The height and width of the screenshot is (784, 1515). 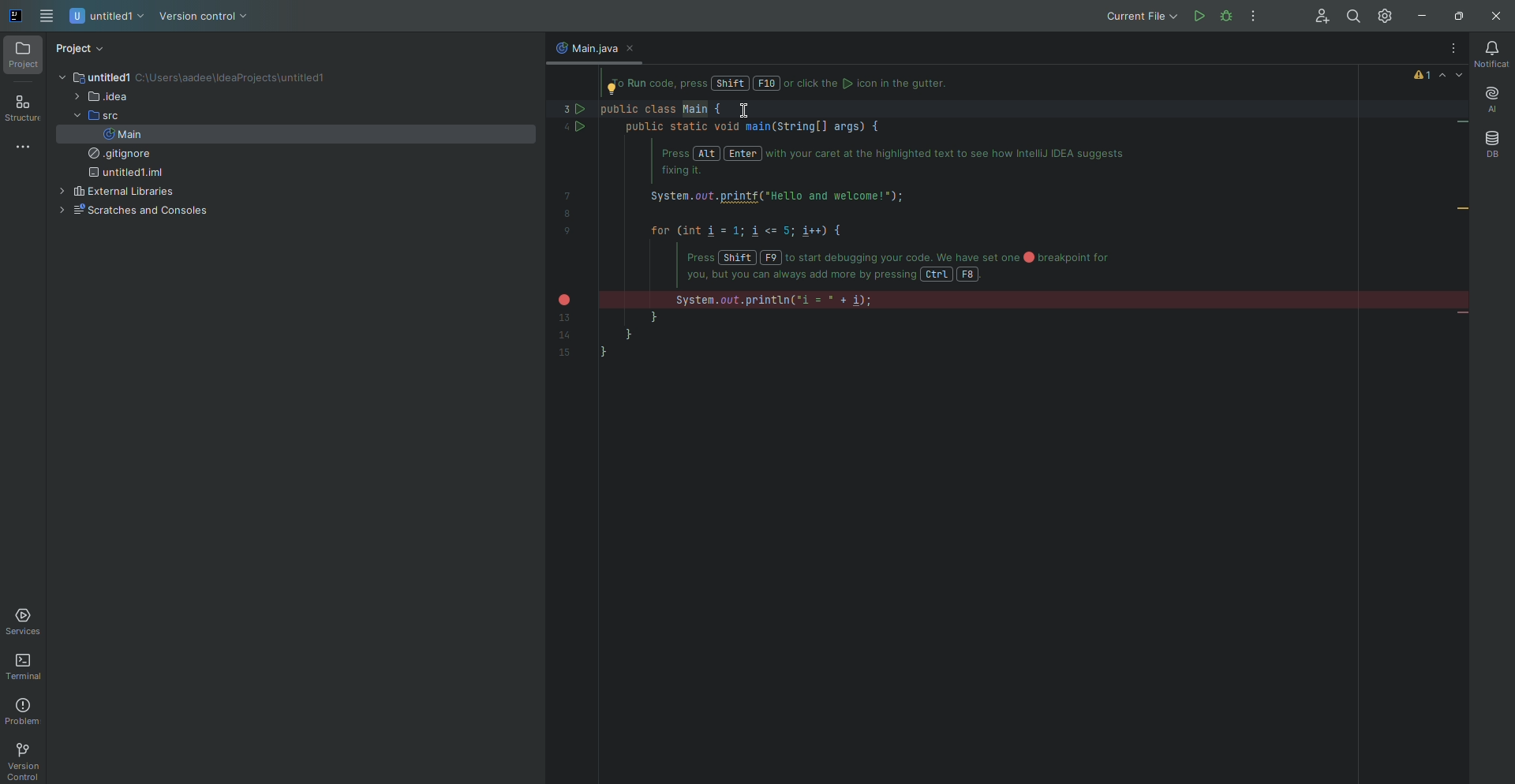 I want to click on Options, so click(x=1254, y=17).